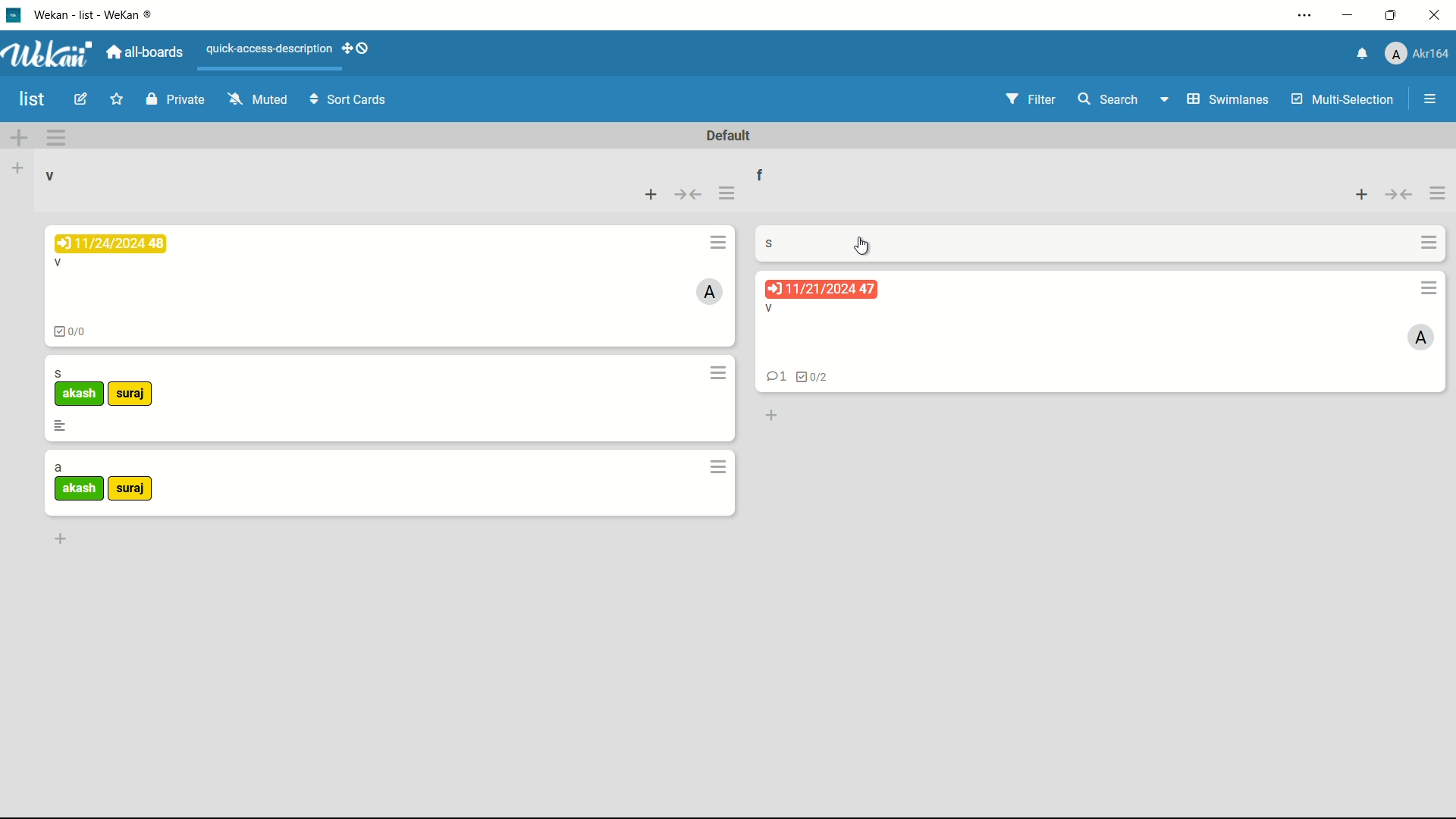  Describe the element at coordinates (17, 169) in the screenshot. I see `add list` at that location.